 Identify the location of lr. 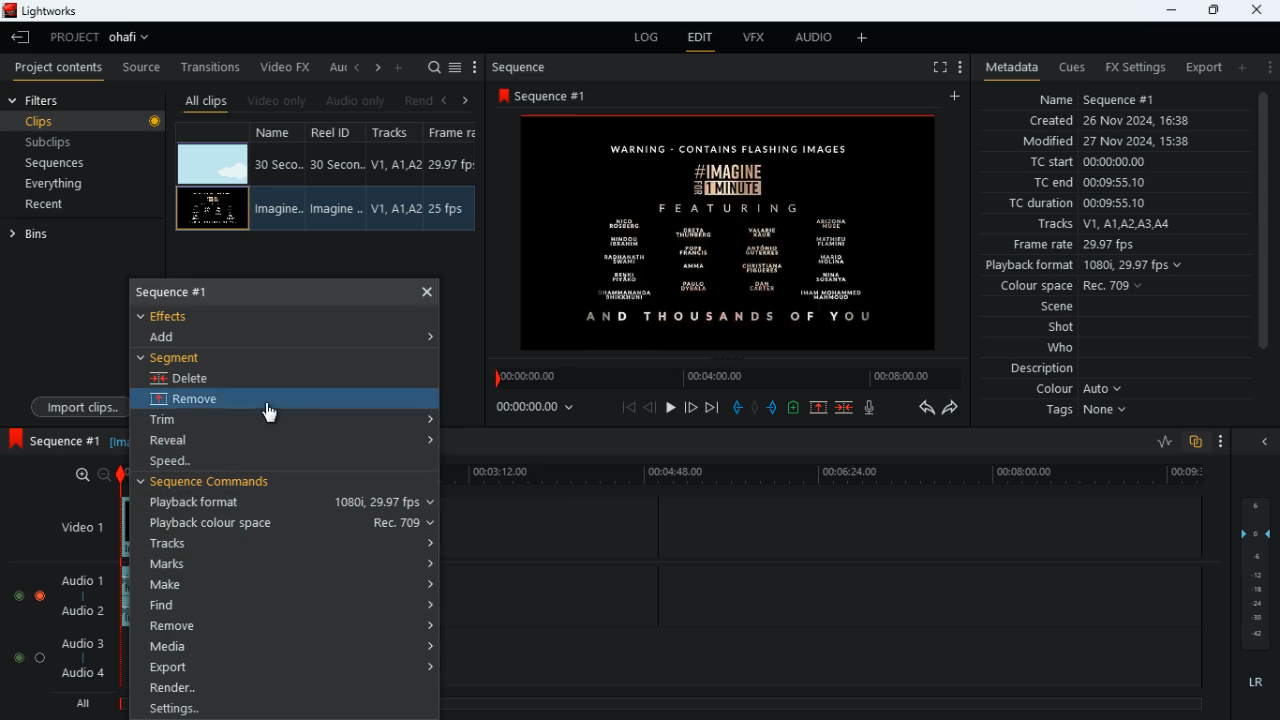
(1256, 683).